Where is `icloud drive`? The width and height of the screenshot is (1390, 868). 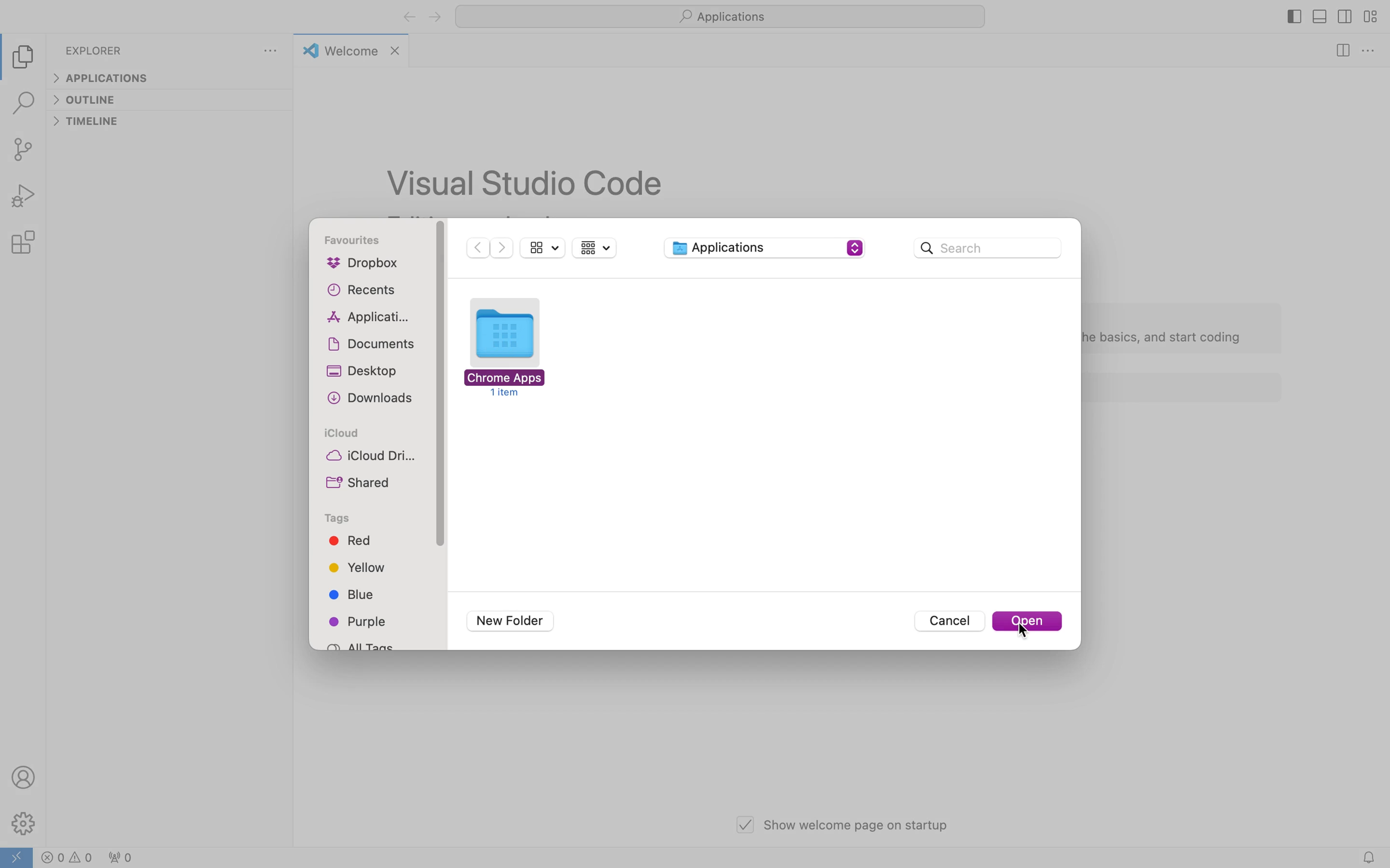 icloud drive is located at coordinates (373, 458).